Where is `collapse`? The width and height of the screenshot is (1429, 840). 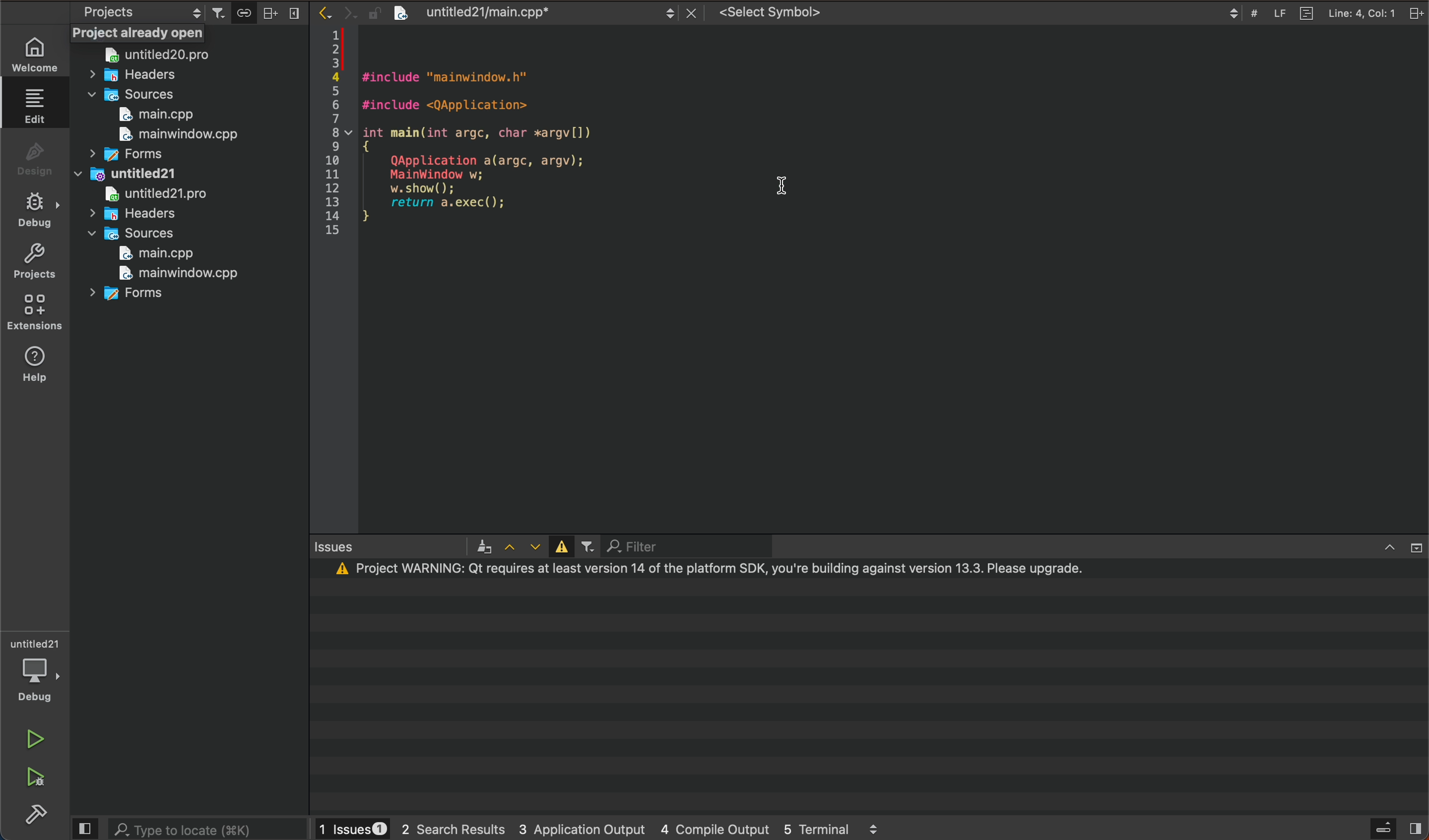
collapse is located at coordinates (1392, 548).